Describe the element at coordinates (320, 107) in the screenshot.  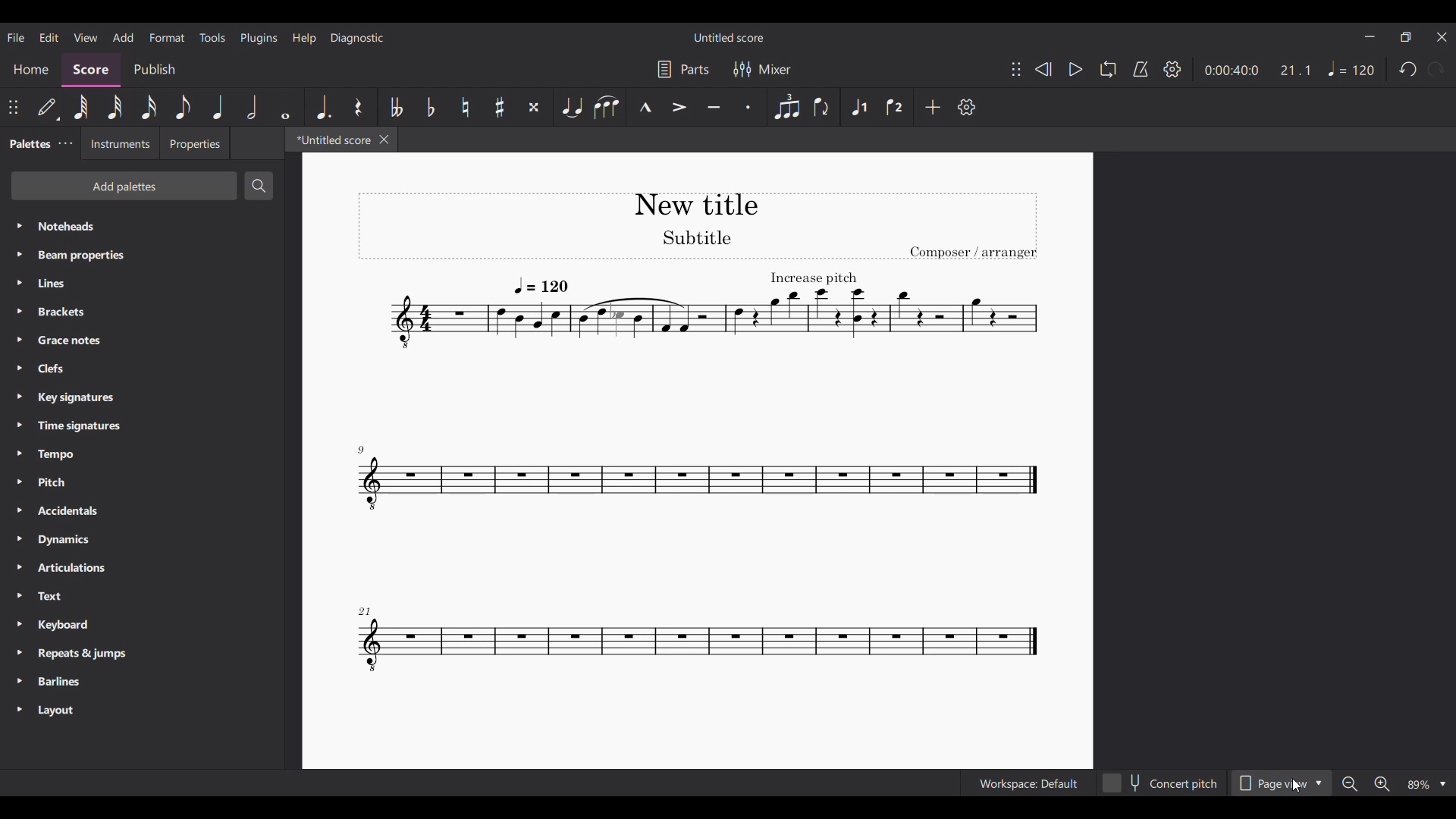
I see `Augmentation dot` at that location.